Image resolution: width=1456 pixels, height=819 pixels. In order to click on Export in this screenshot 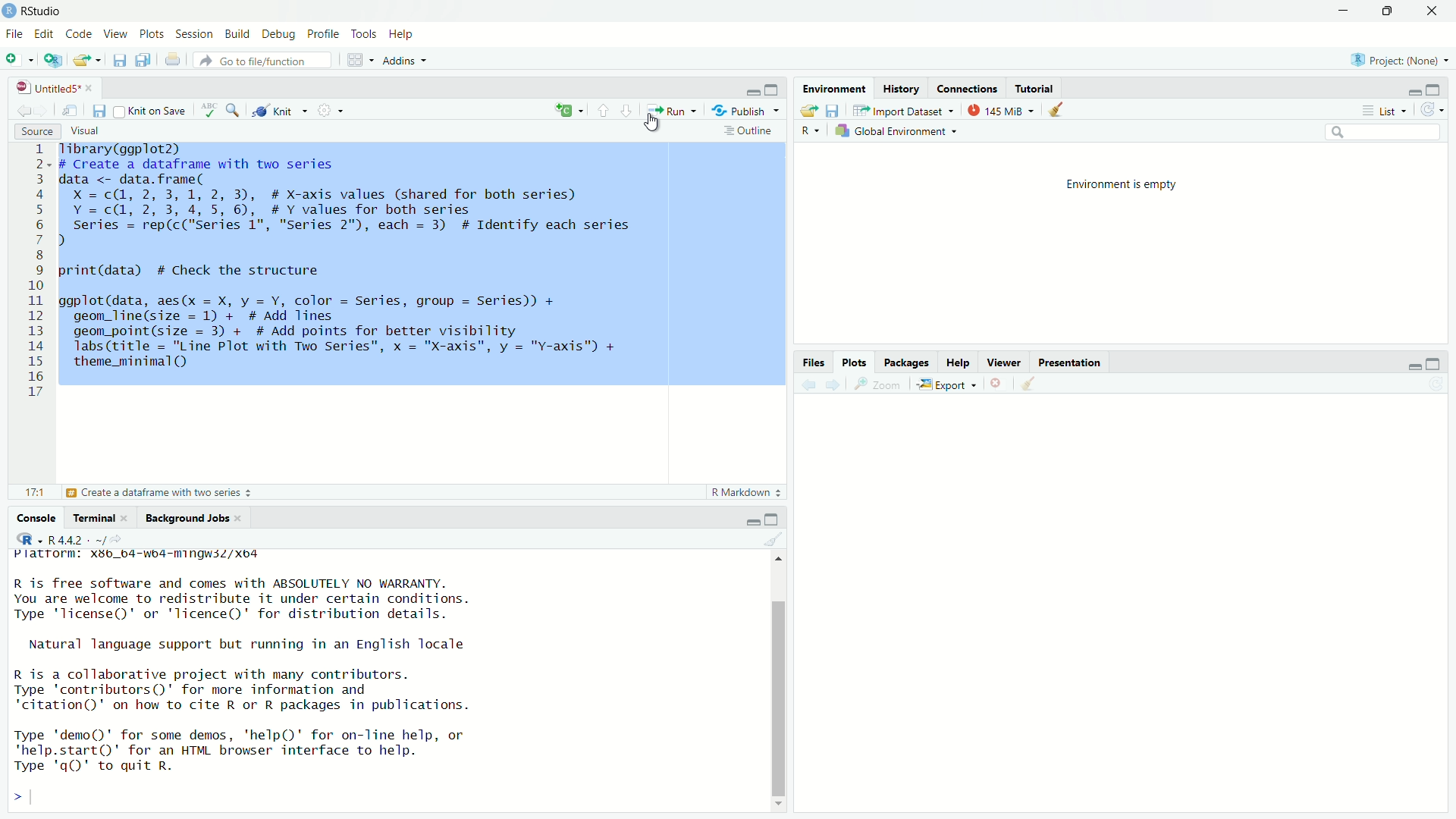, I will do `click(946, 384)`.